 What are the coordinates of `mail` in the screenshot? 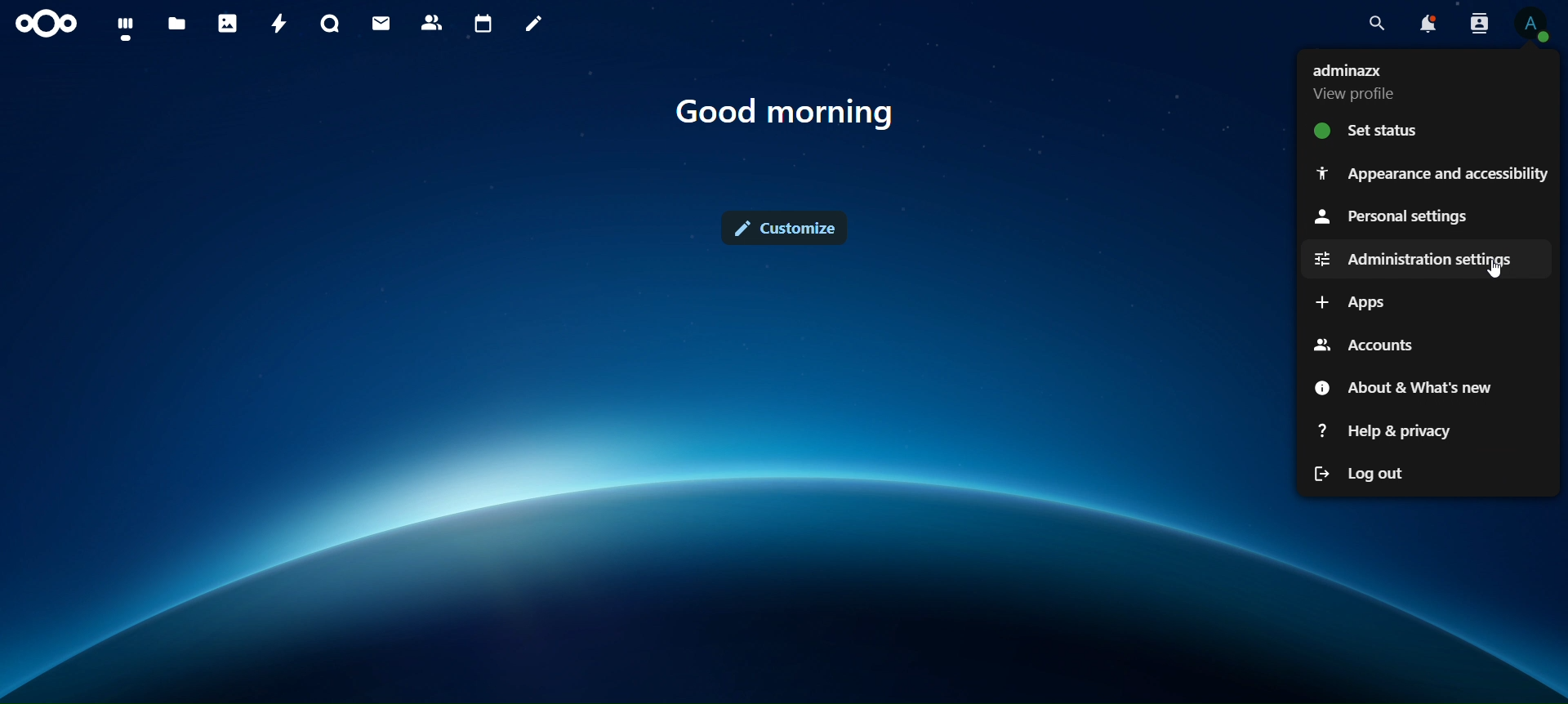 It's located at (378, 23).